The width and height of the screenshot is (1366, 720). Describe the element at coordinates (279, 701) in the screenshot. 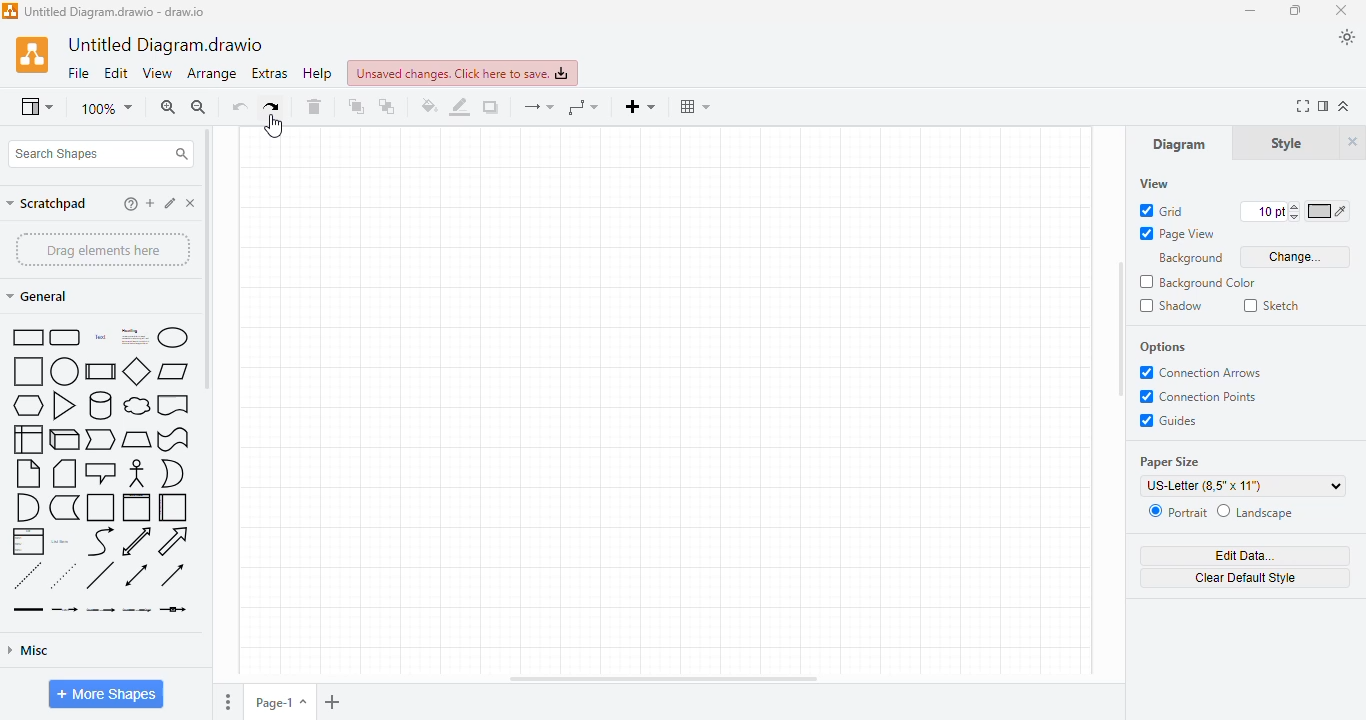

I see `page-1` at that location.